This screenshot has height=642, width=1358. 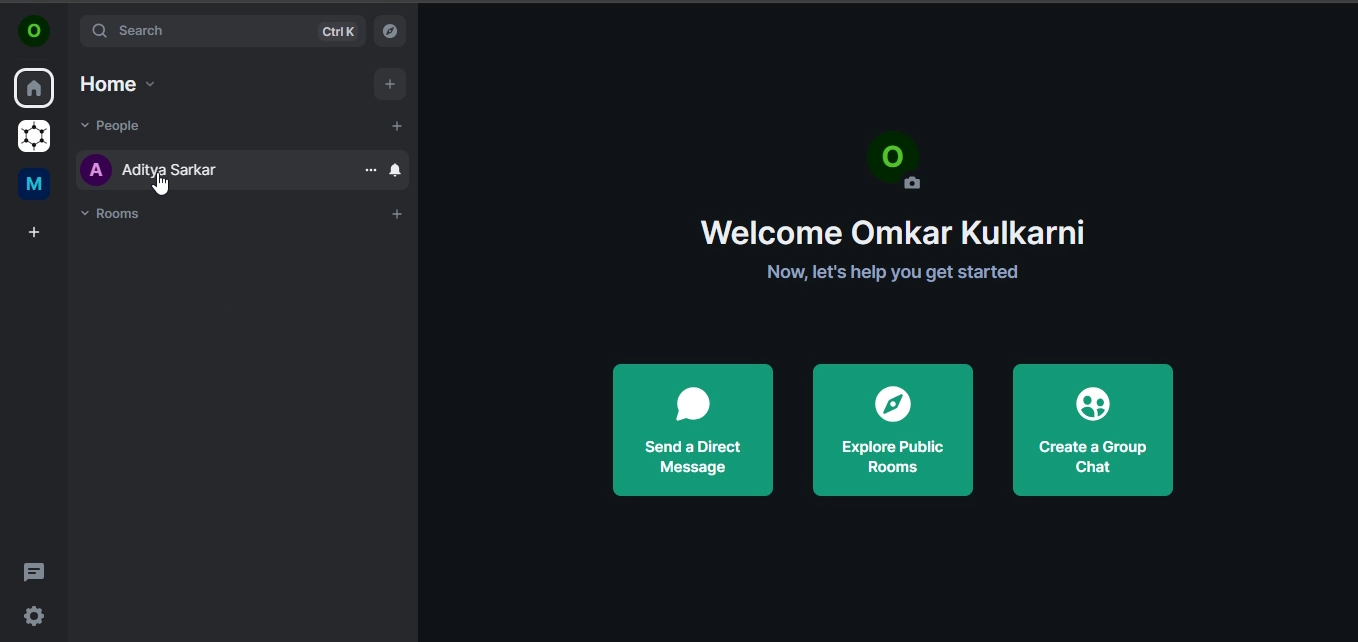 What do you see at coordinates (157, 175) in the screenshot?
I see `aditya sarkar` at bounding box center [157, 175].